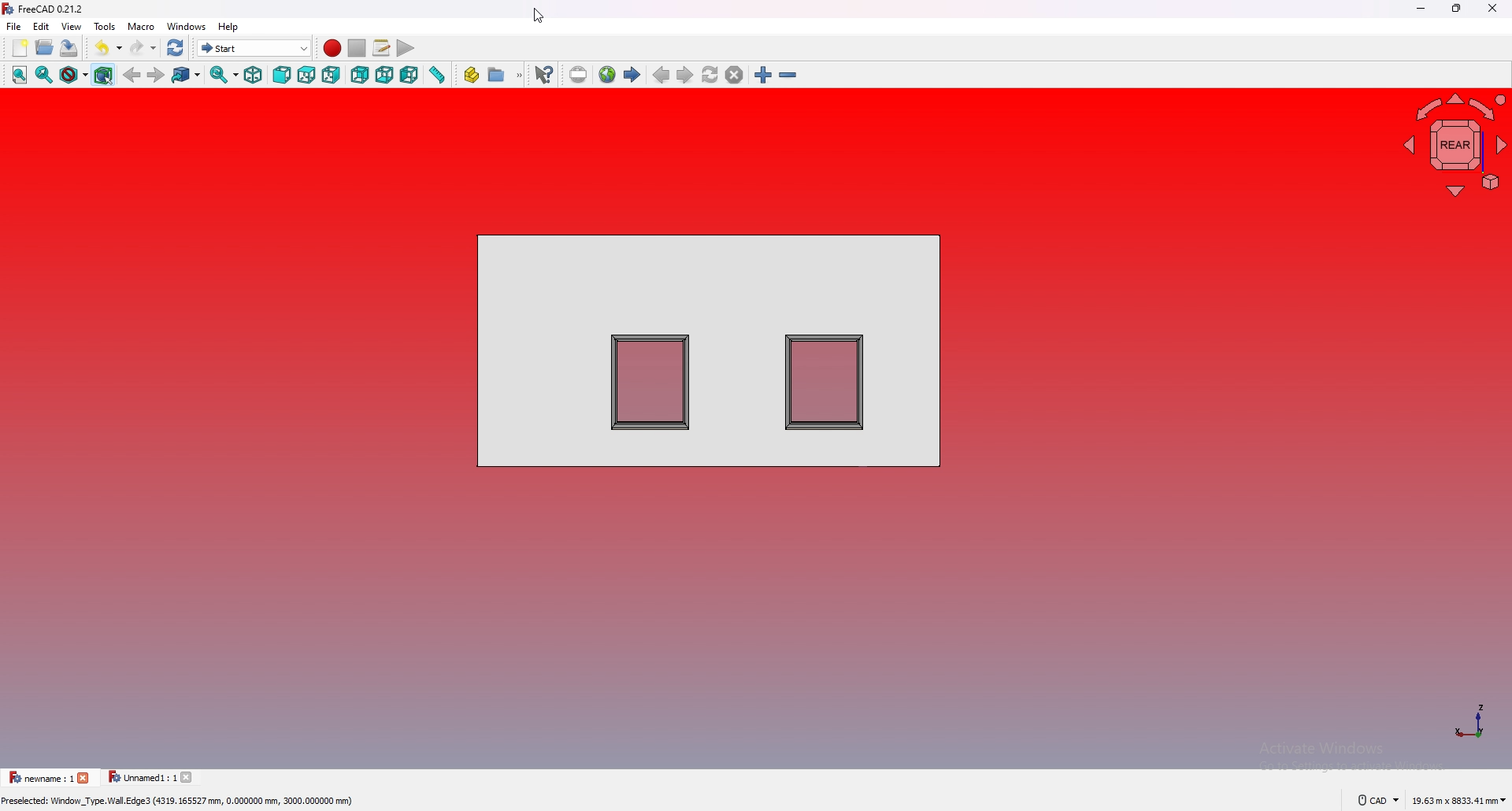 The image size is (1512, 811). Describe the element at coordinates (69, 47) in the screenshot. I see `save` at that location.